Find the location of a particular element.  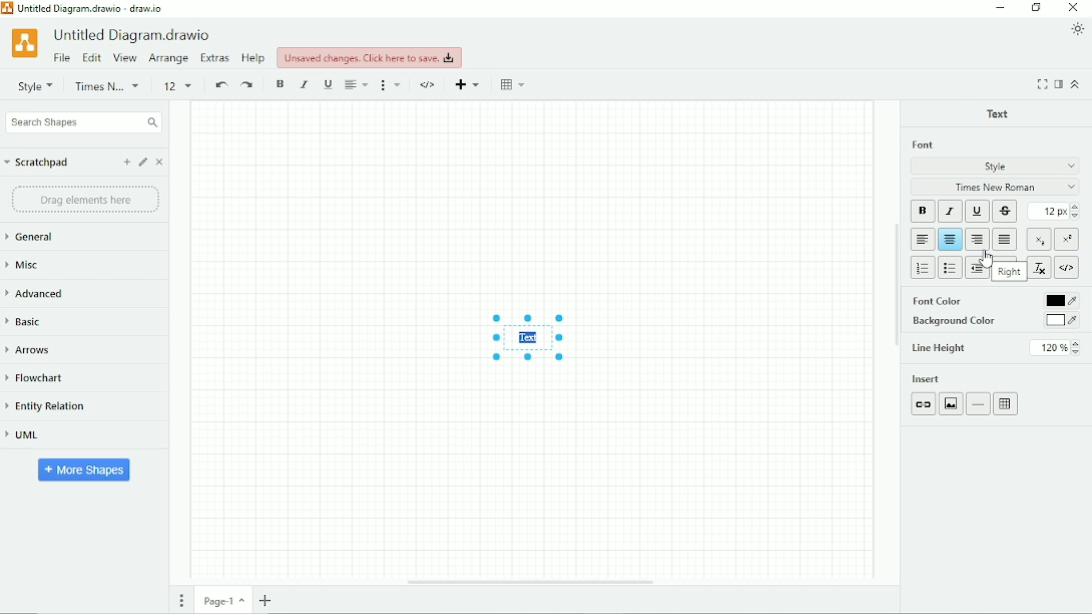

Untitled Diagram.drawio - draw.io is located at coordinates (90, 9).